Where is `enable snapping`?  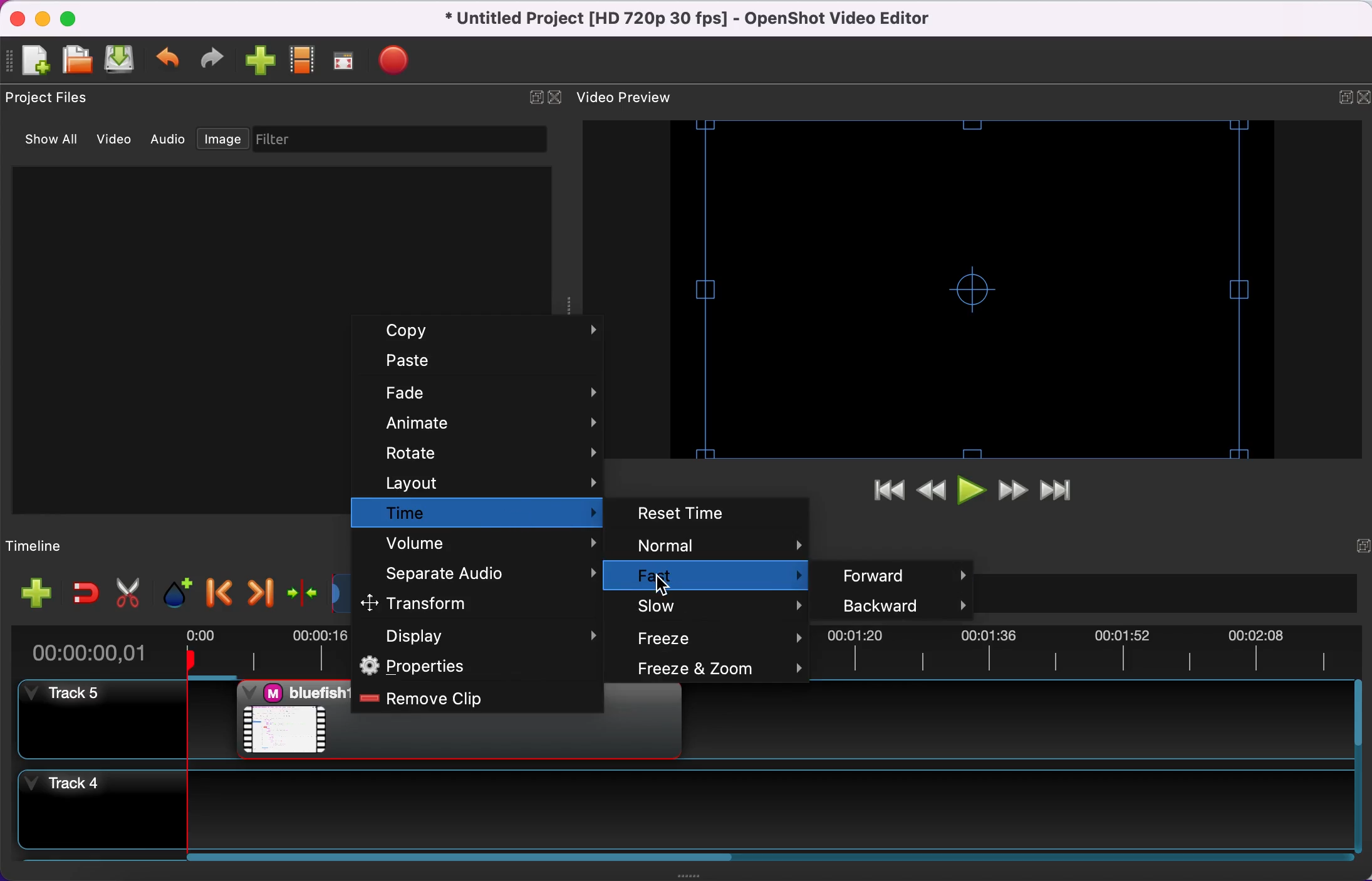 enable snapping is located at coordinates (86, 595).